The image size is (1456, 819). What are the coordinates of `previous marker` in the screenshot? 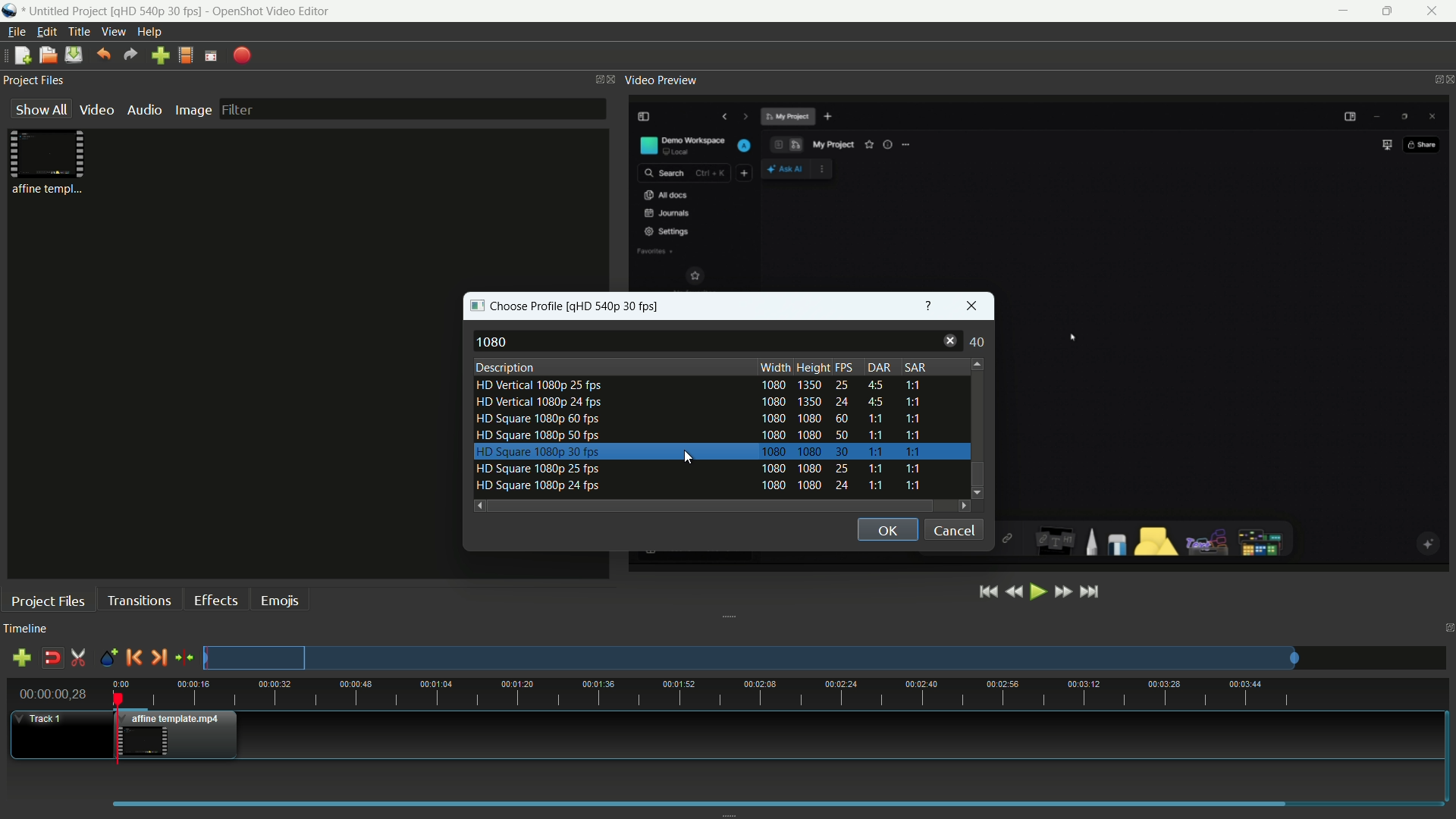 It's located at (133, 657).